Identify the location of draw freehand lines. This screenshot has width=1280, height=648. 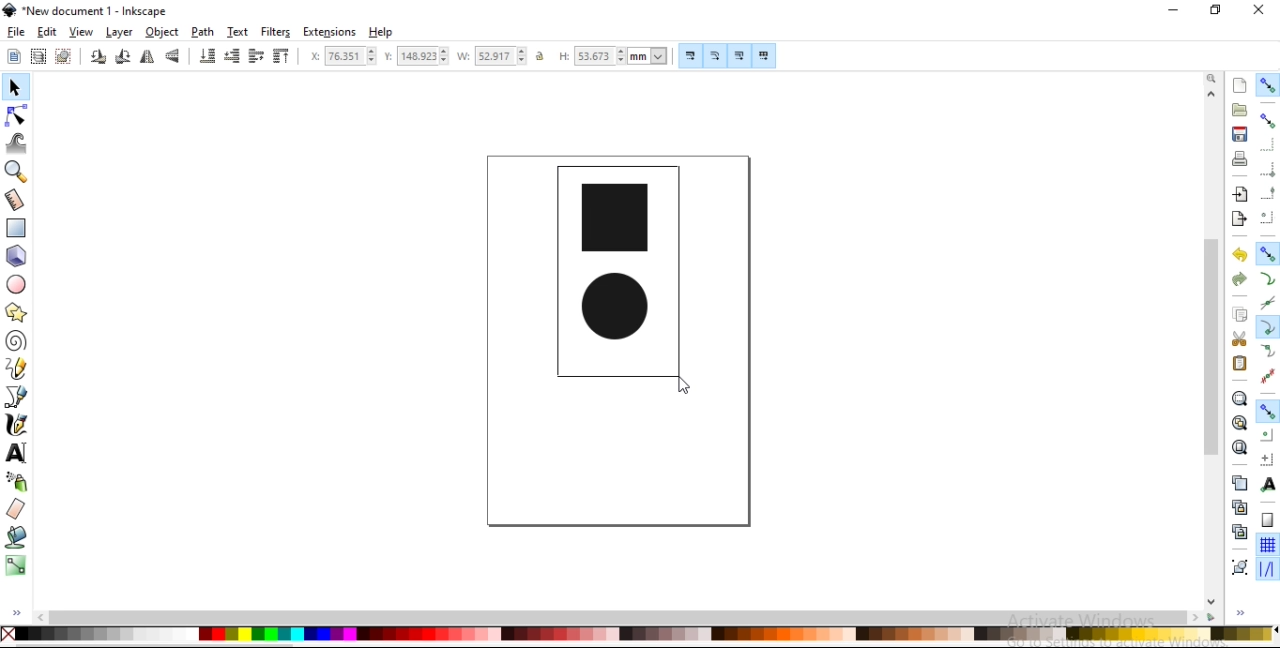
(15, 370).